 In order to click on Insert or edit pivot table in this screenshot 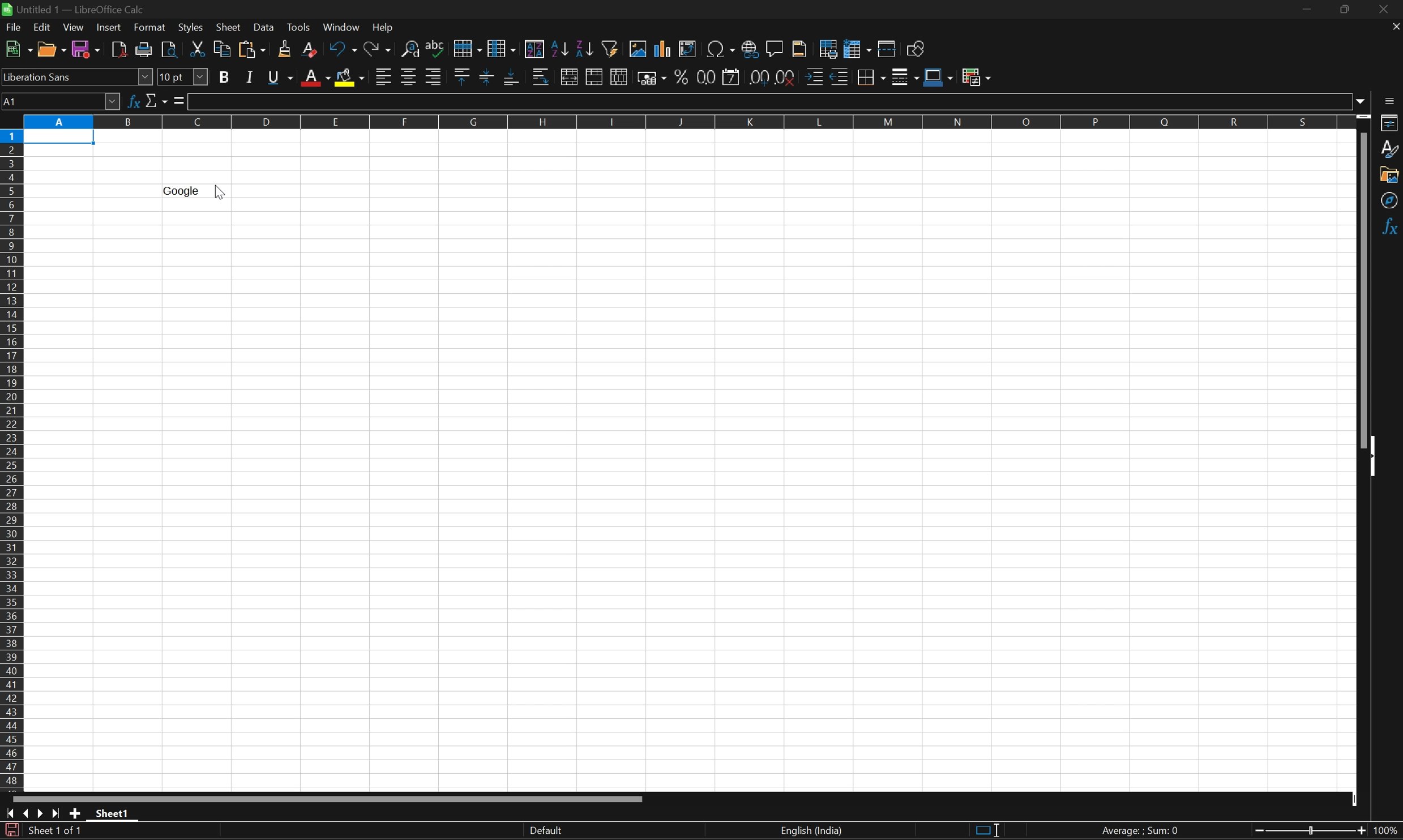, I will do `click(688, 48)`.